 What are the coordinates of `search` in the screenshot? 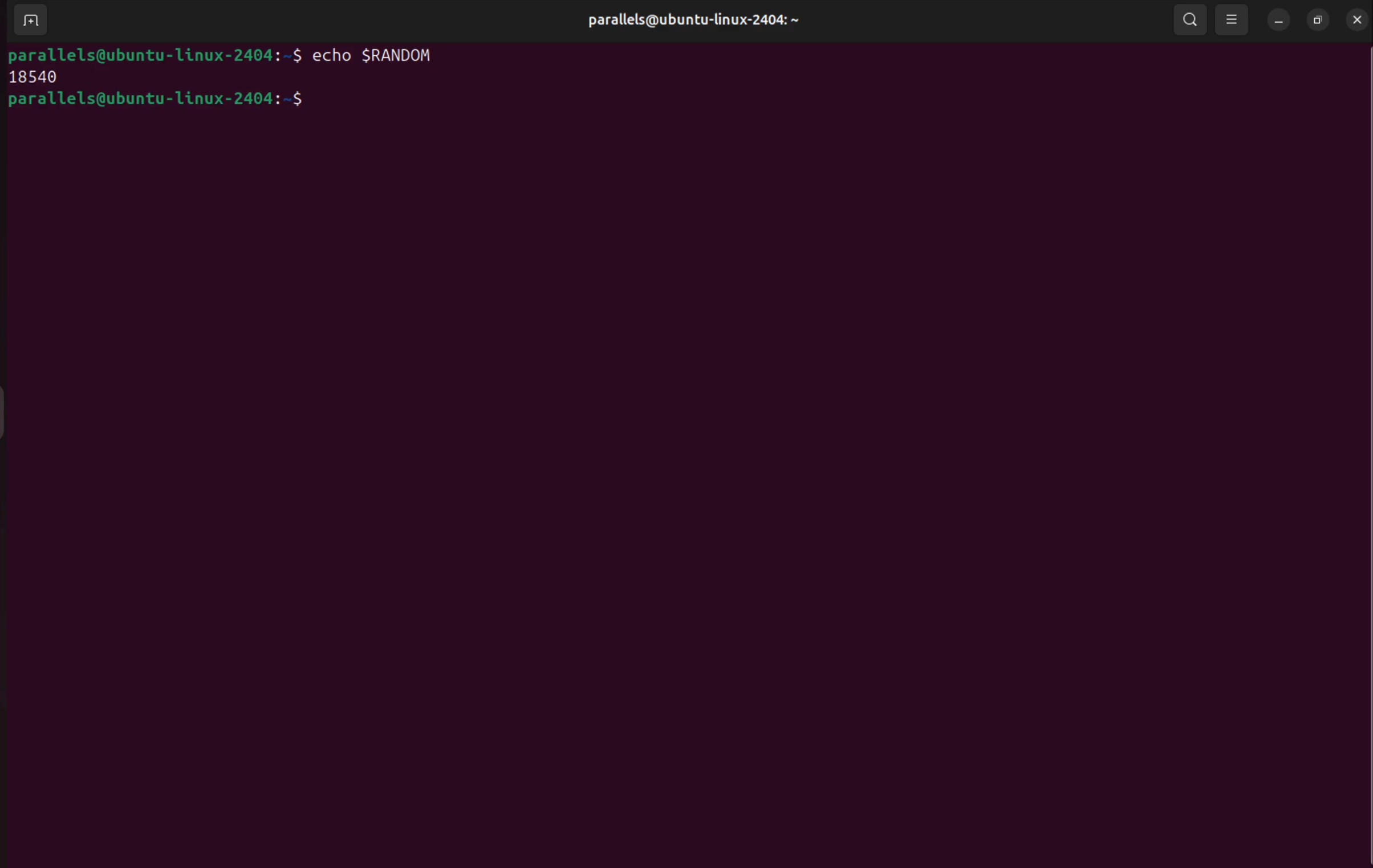 It's located at (1189, 22).